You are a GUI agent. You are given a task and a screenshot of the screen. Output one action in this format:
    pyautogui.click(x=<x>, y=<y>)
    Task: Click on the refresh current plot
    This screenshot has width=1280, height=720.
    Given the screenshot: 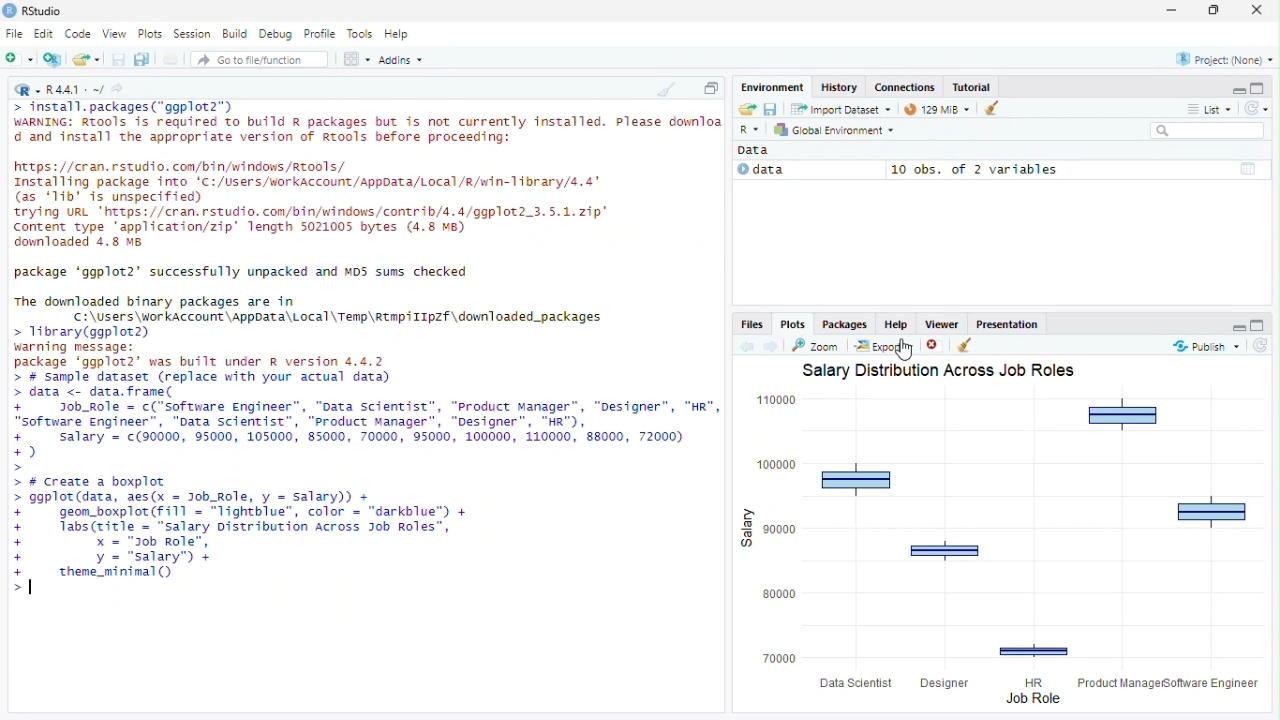 What is the action you would take?
    pyautogui.click(x=1262, y=345)
    